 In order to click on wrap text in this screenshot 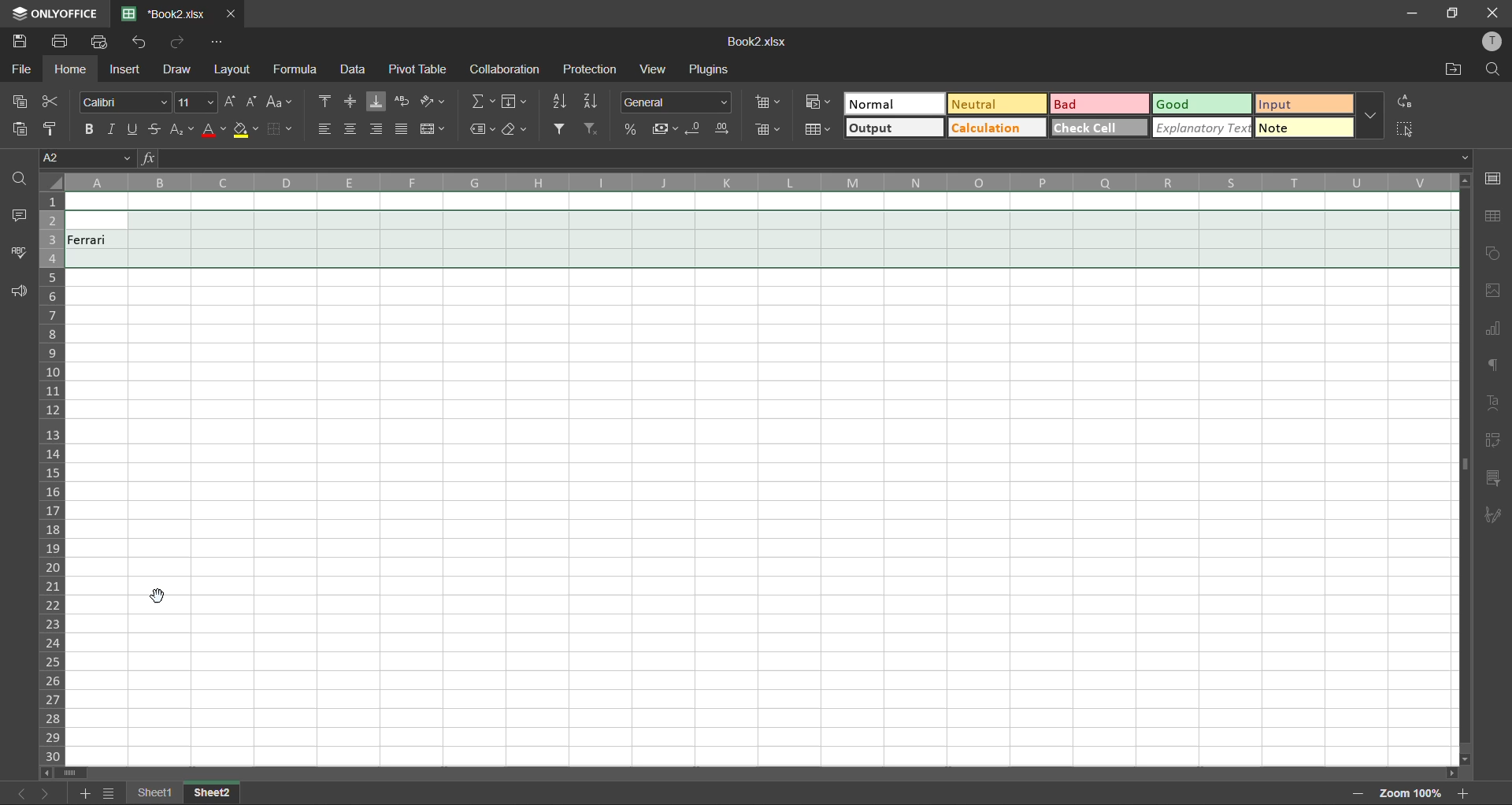, I will do `click(402, 101)`.